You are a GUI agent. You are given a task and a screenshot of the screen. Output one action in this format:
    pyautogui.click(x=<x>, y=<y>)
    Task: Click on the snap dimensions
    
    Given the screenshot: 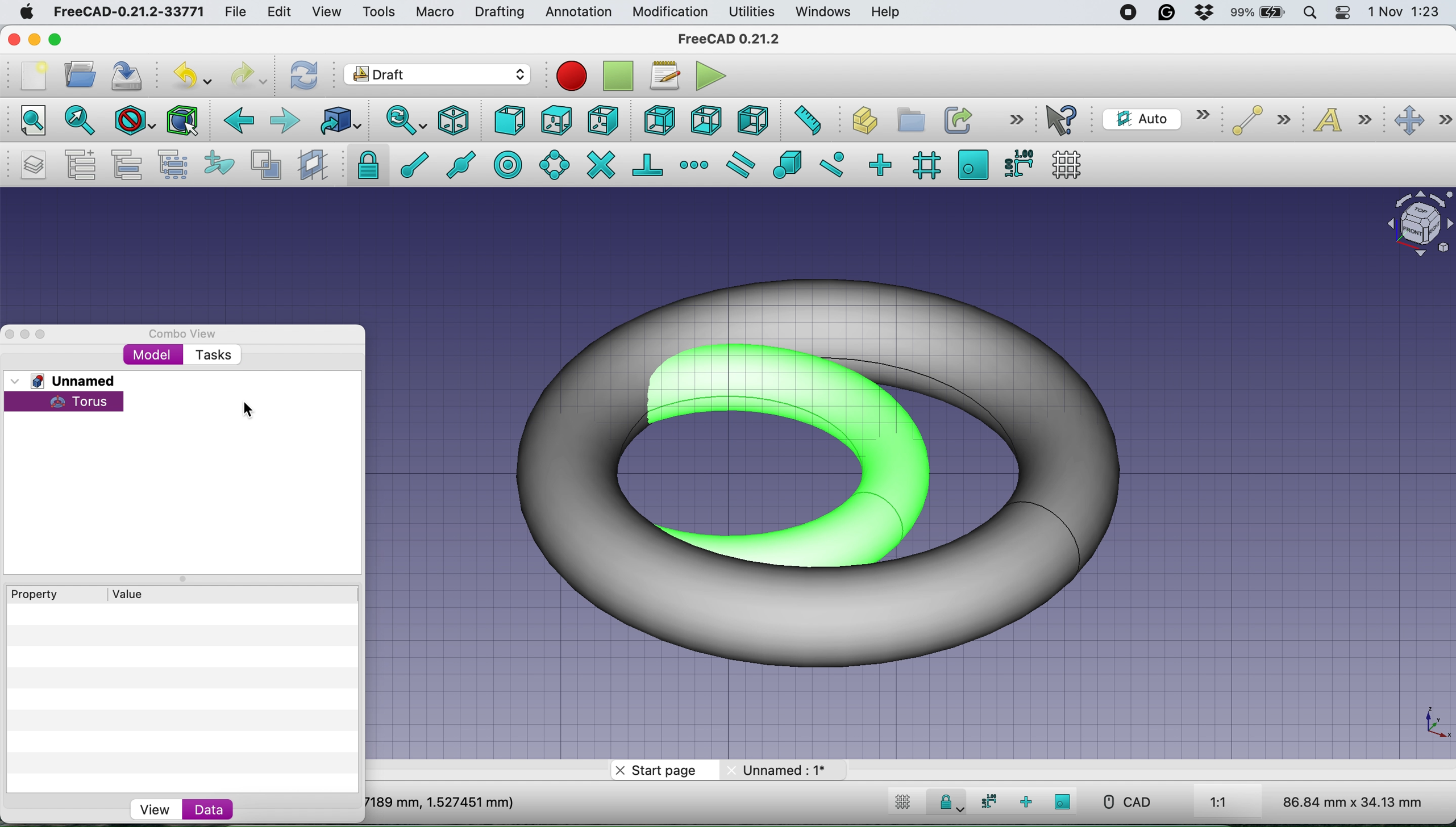 What is the action you would take?
    pyautogui.click(x=1017, y=163)
    